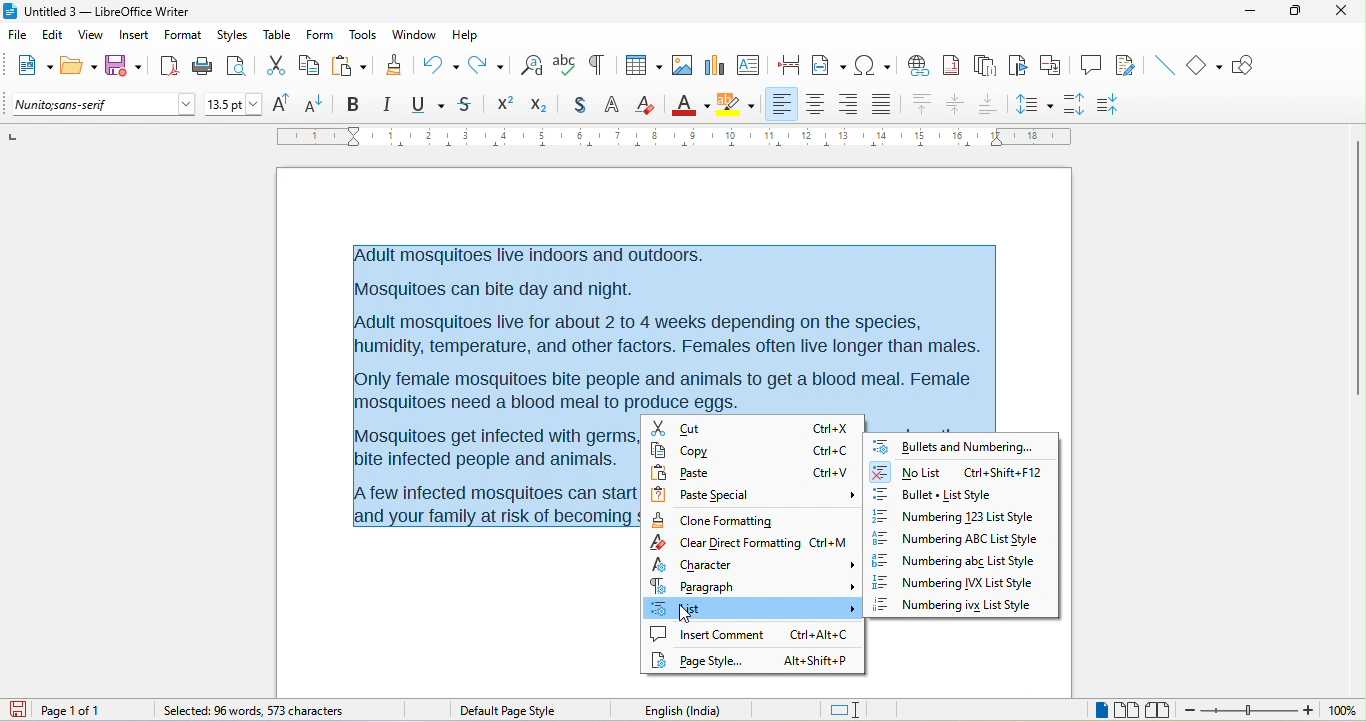 This screenshot has width=1366, height=722. I want to click on undo, so click(441, 63).